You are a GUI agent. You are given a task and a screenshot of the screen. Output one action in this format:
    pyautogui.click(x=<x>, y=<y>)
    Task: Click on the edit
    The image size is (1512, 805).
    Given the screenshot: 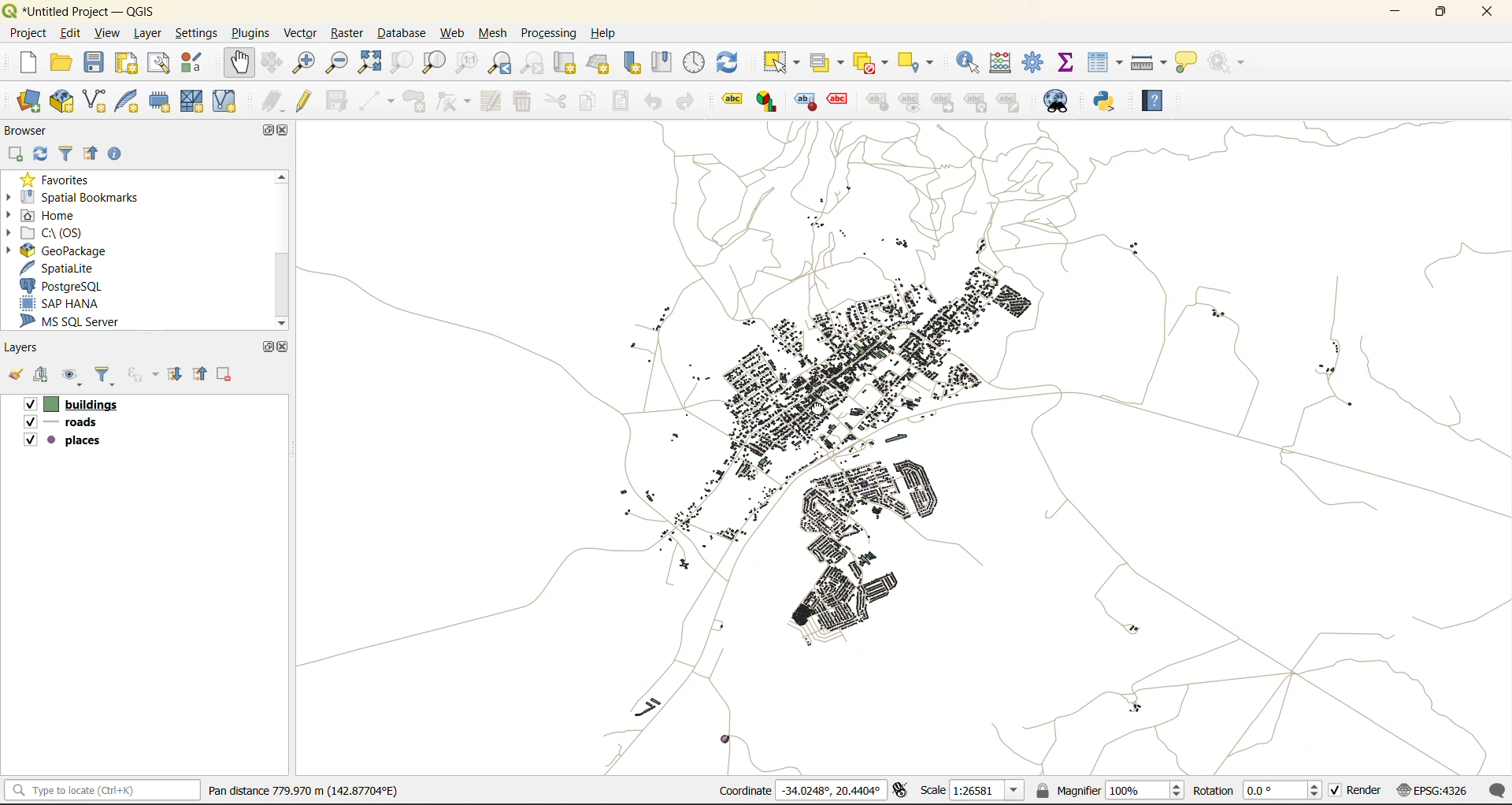 What is the action you would take?
    pyautogui.click(x=73, y=33)
    